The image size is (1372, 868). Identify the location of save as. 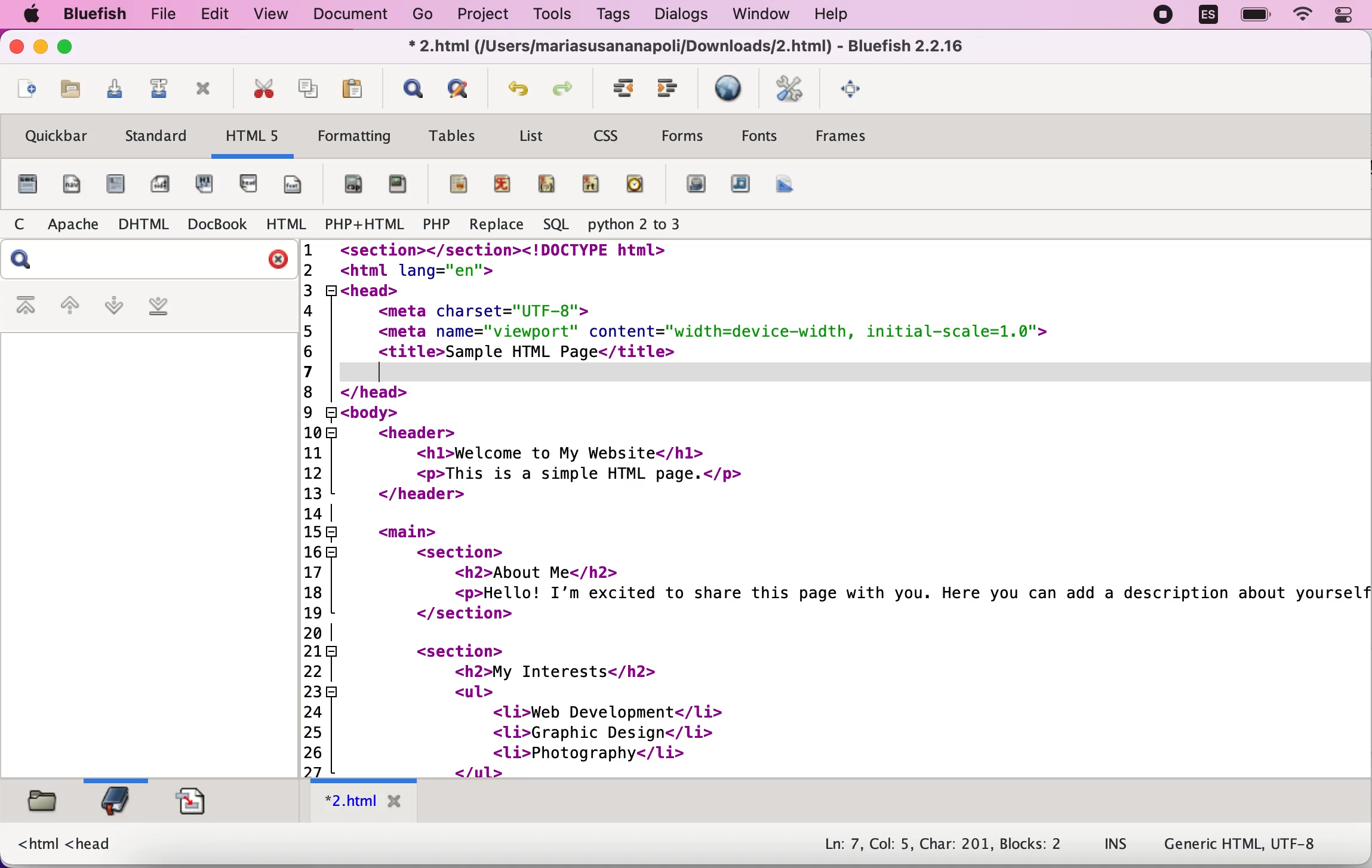
(161, 87).